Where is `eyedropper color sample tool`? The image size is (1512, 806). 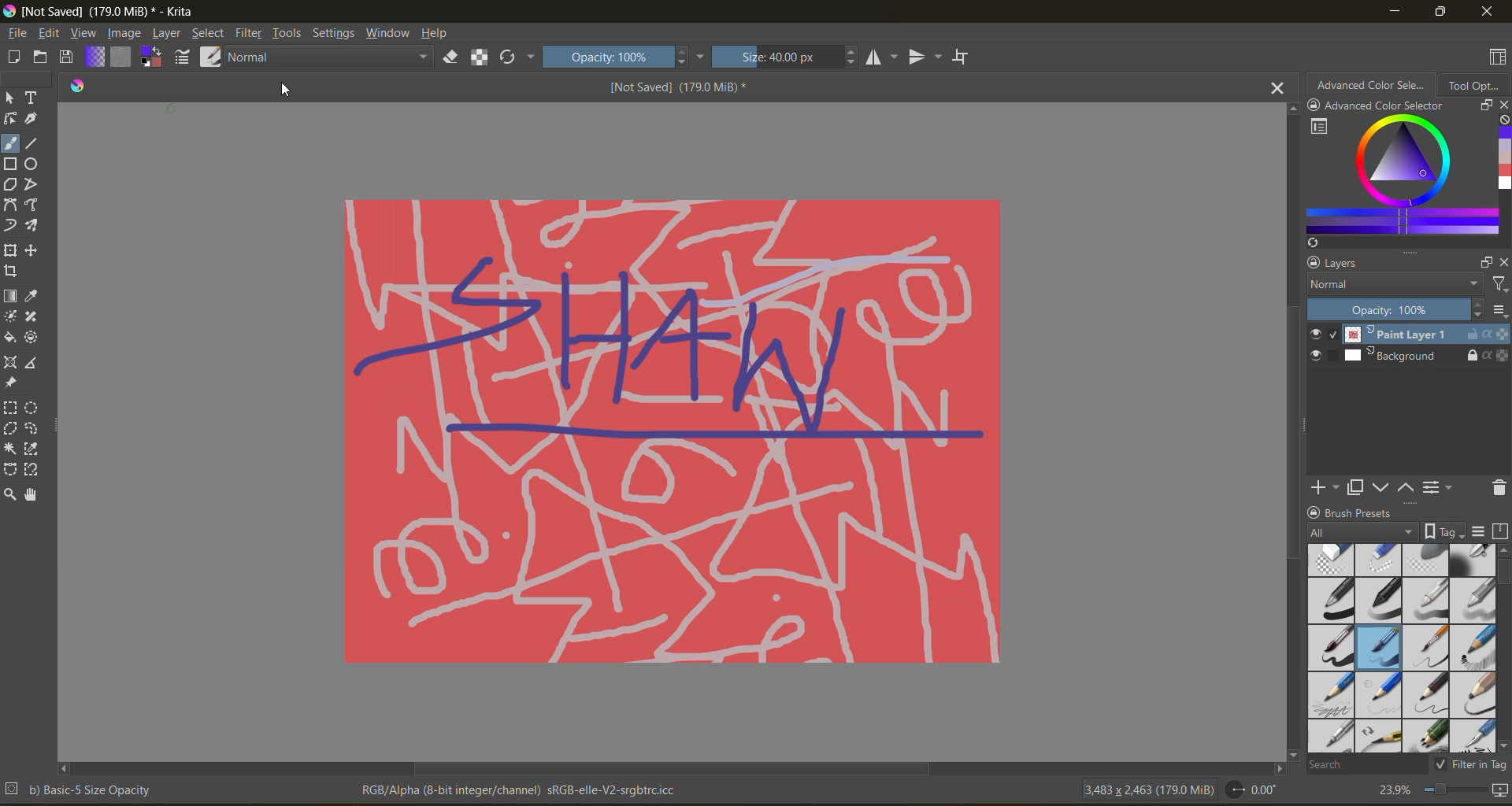
eyedropper color sample tool is located at coordinates (33, 298).